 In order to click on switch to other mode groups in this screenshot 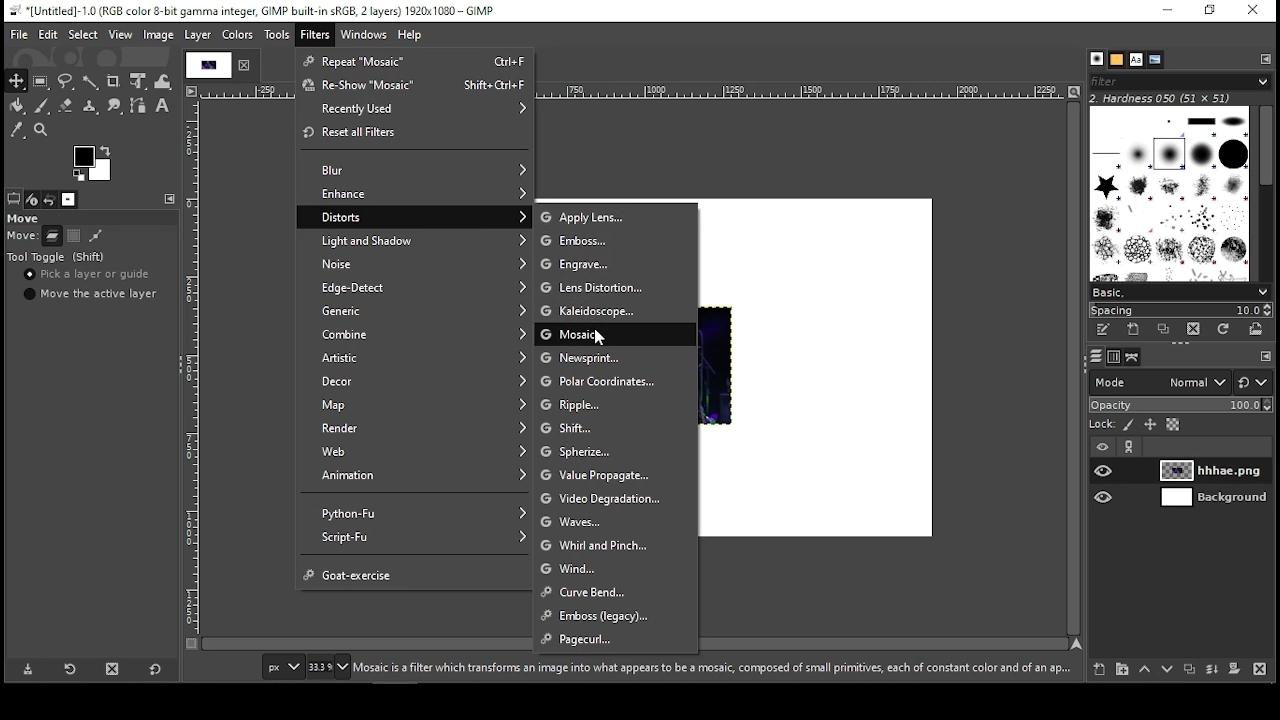, I will do `click(1254, 383)`.